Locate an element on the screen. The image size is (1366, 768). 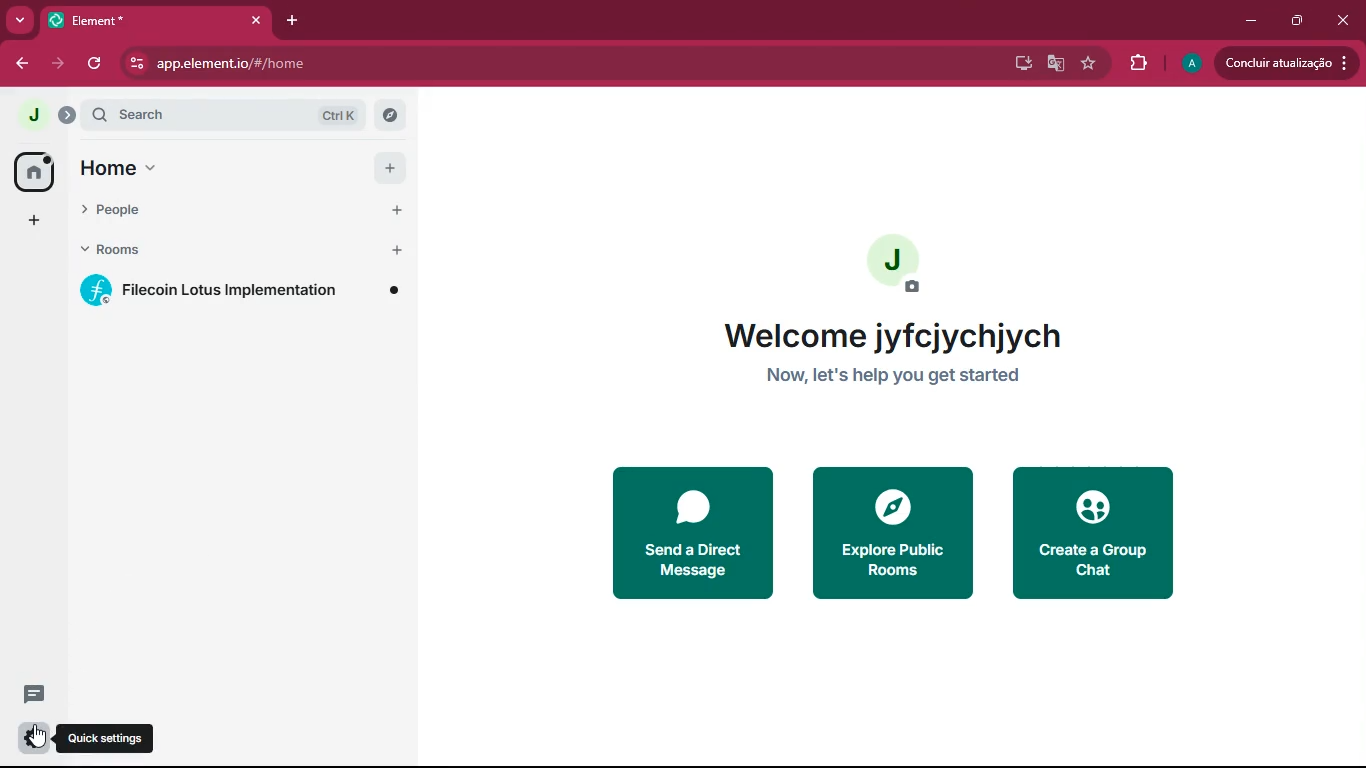
Element* is located at coordinates (127, 20).